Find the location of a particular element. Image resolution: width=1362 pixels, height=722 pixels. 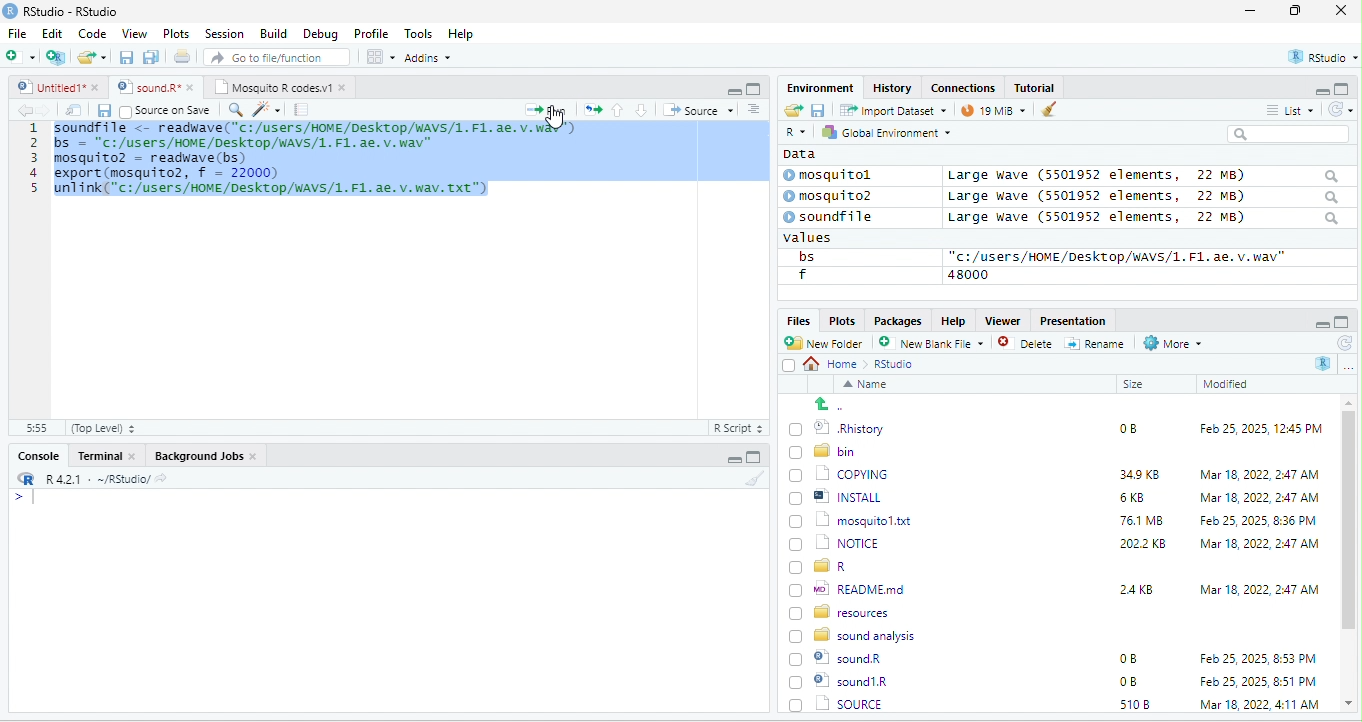

0B is located at coordinates (1127, 659).